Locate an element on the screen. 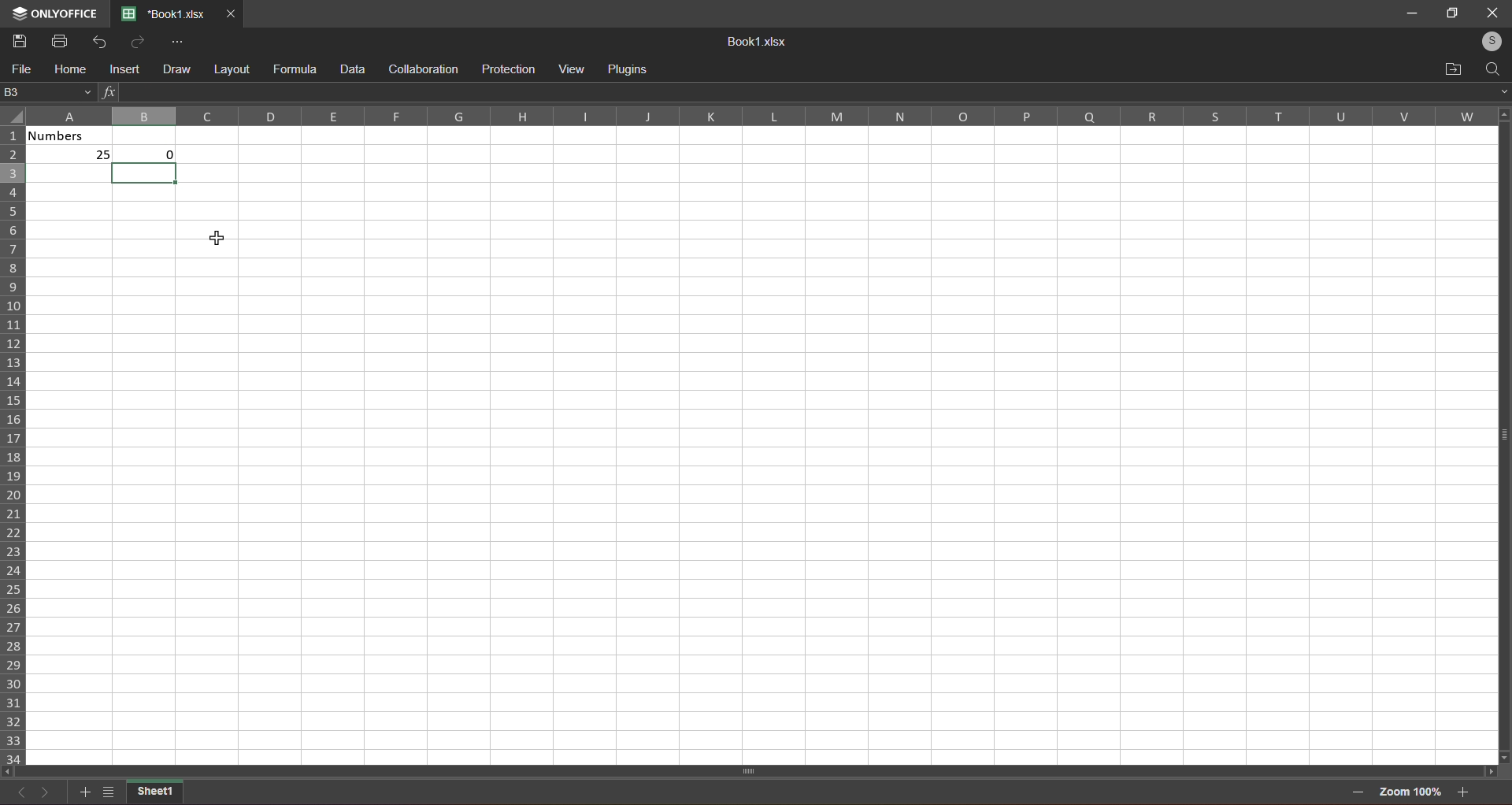 The height and width of the screenshot is (805, 1512). Book1.xisx is located at coordinates (754, 42).